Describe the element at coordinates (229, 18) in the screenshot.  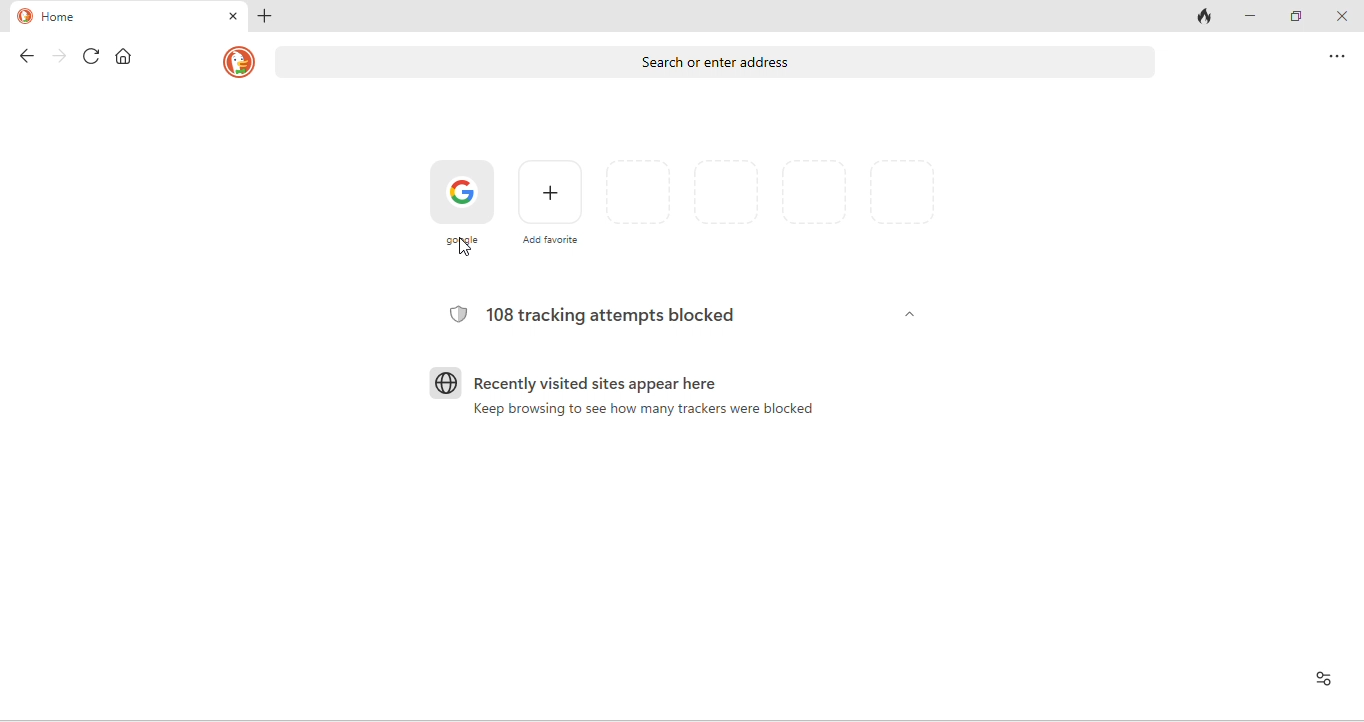
I see `close` at that location.